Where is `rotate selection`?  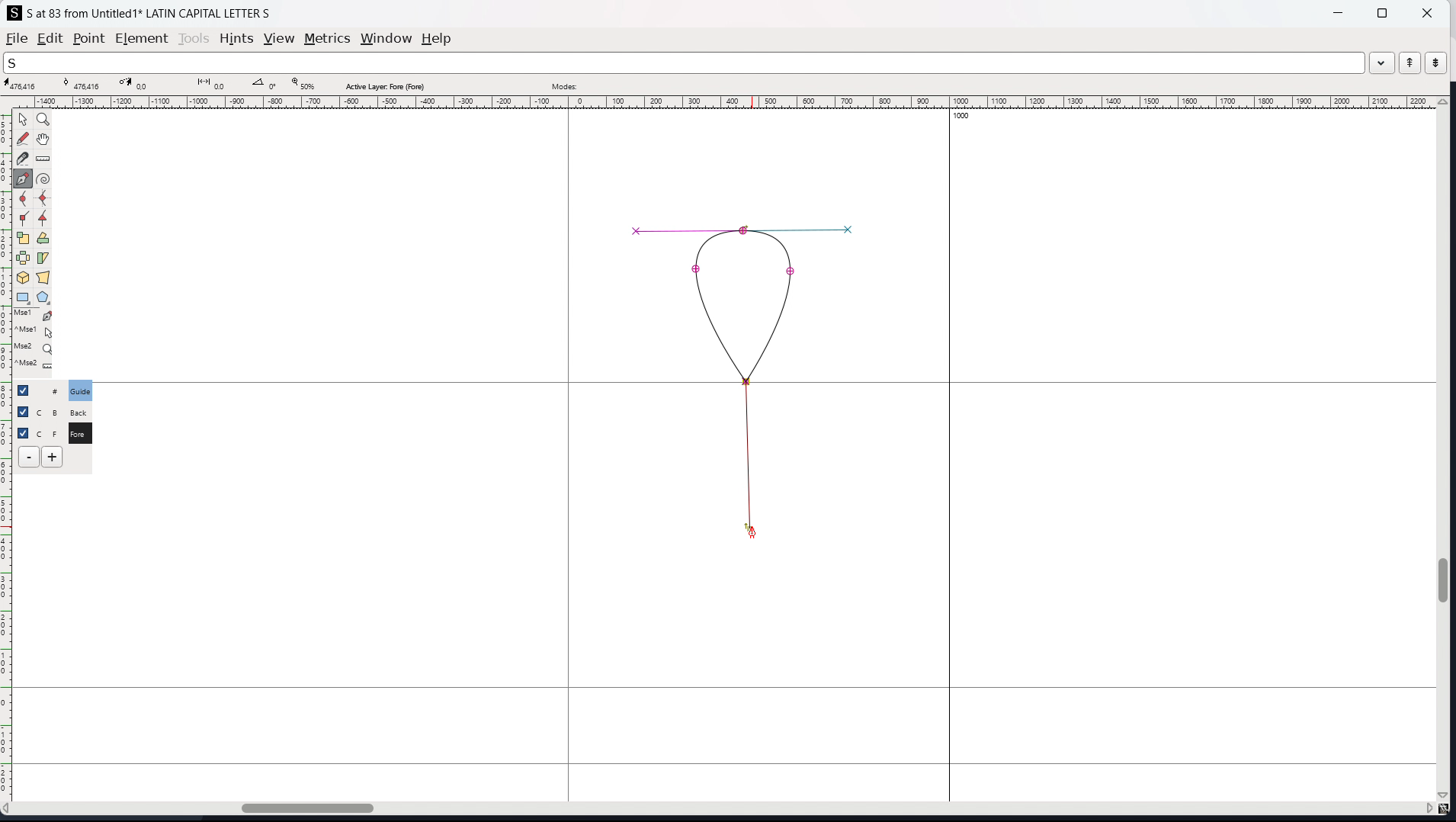 rotate selection is located at coordinates (43, 239).